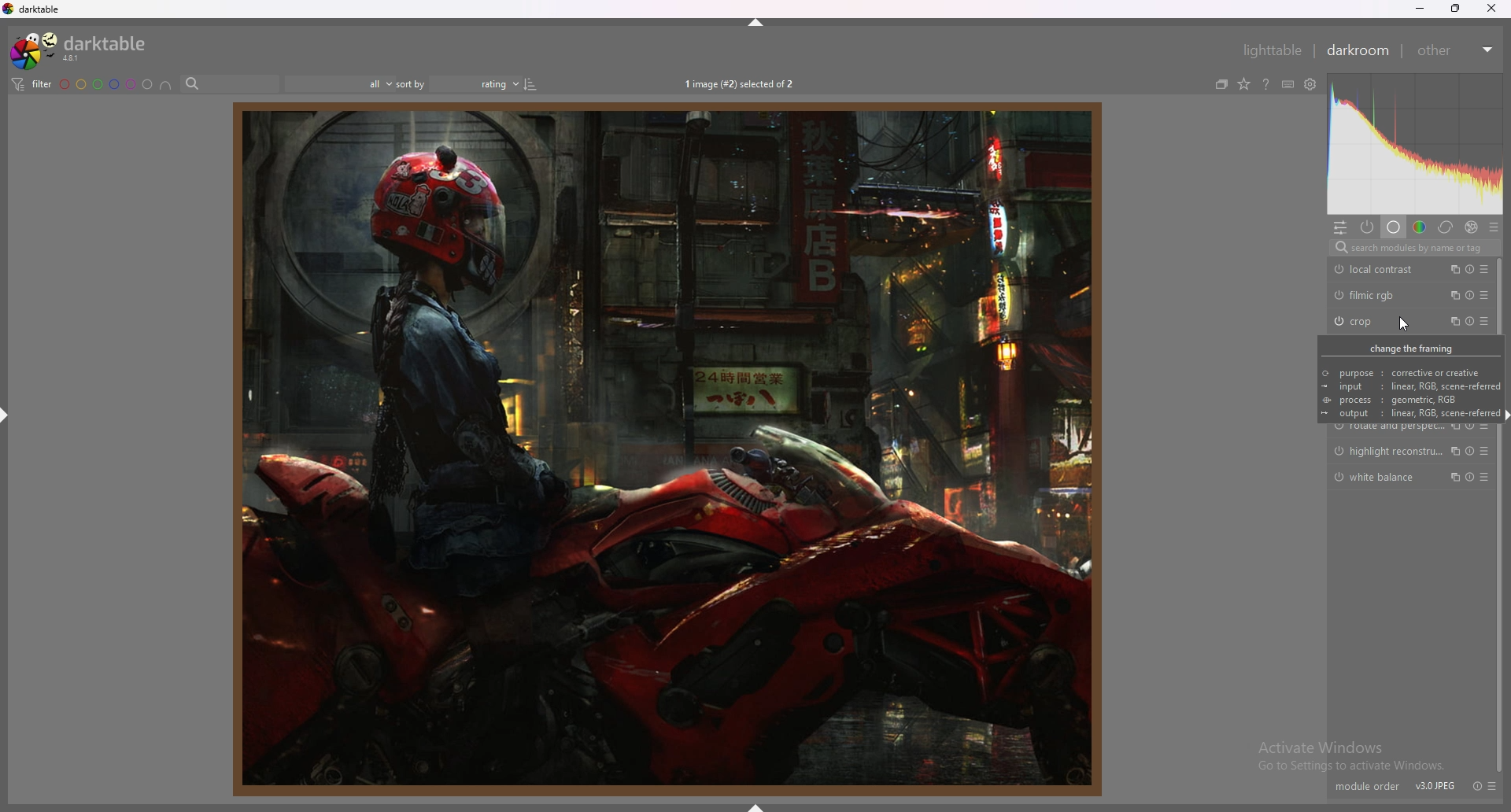 Image resolution: width=1511 pixels, height=812 pixels. I want to click on cursor, so click(1401, 323).